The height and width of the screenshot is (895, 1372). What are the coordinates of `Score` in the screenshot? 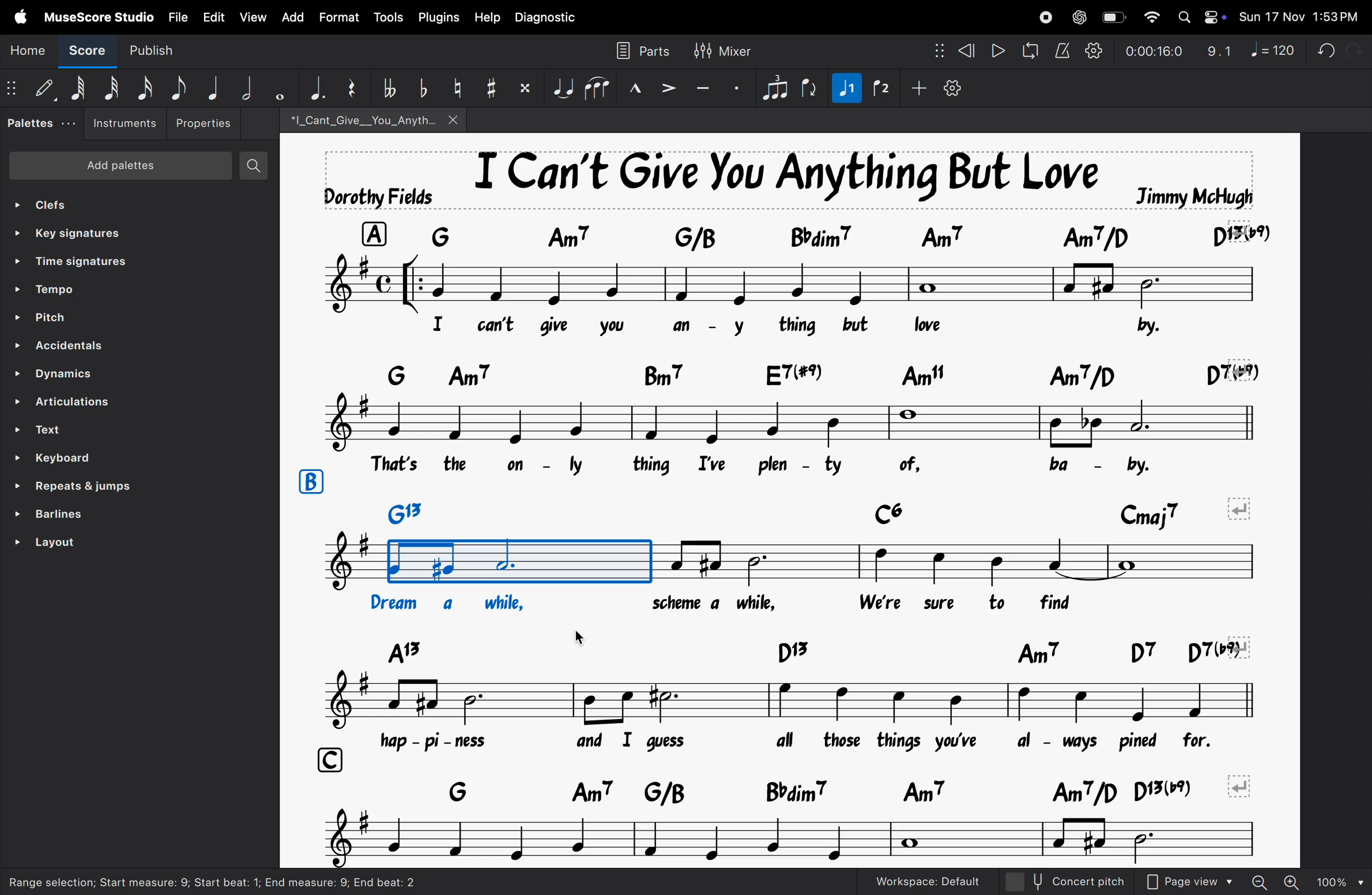 It's located at (84, 54).